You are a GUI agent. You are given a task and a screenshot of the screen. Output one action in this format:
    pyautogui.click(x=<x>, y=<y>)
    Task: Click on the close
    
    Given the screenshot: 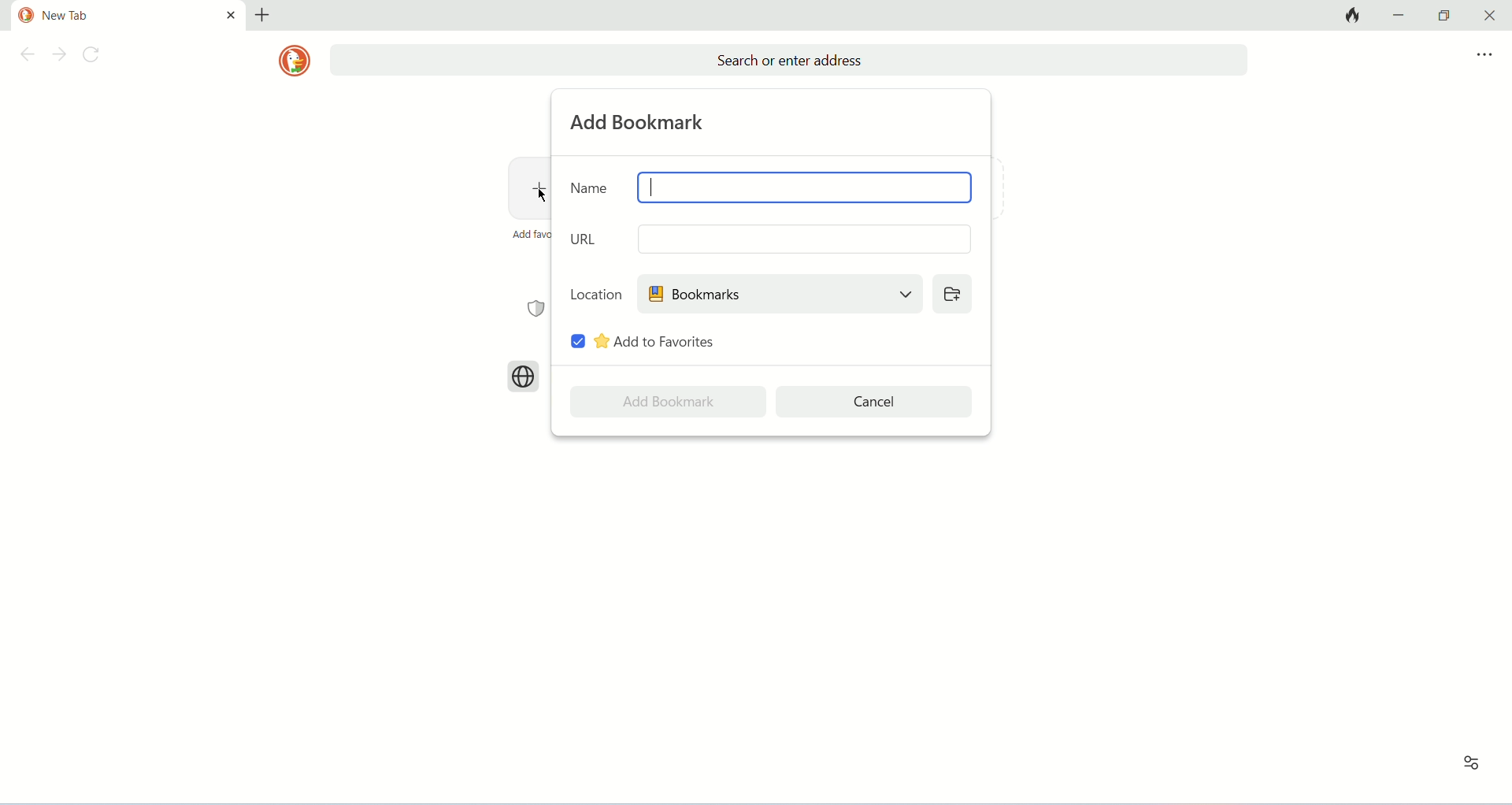 What is the action you would take?
    pyautogui.click(x=1486, y=16)
    